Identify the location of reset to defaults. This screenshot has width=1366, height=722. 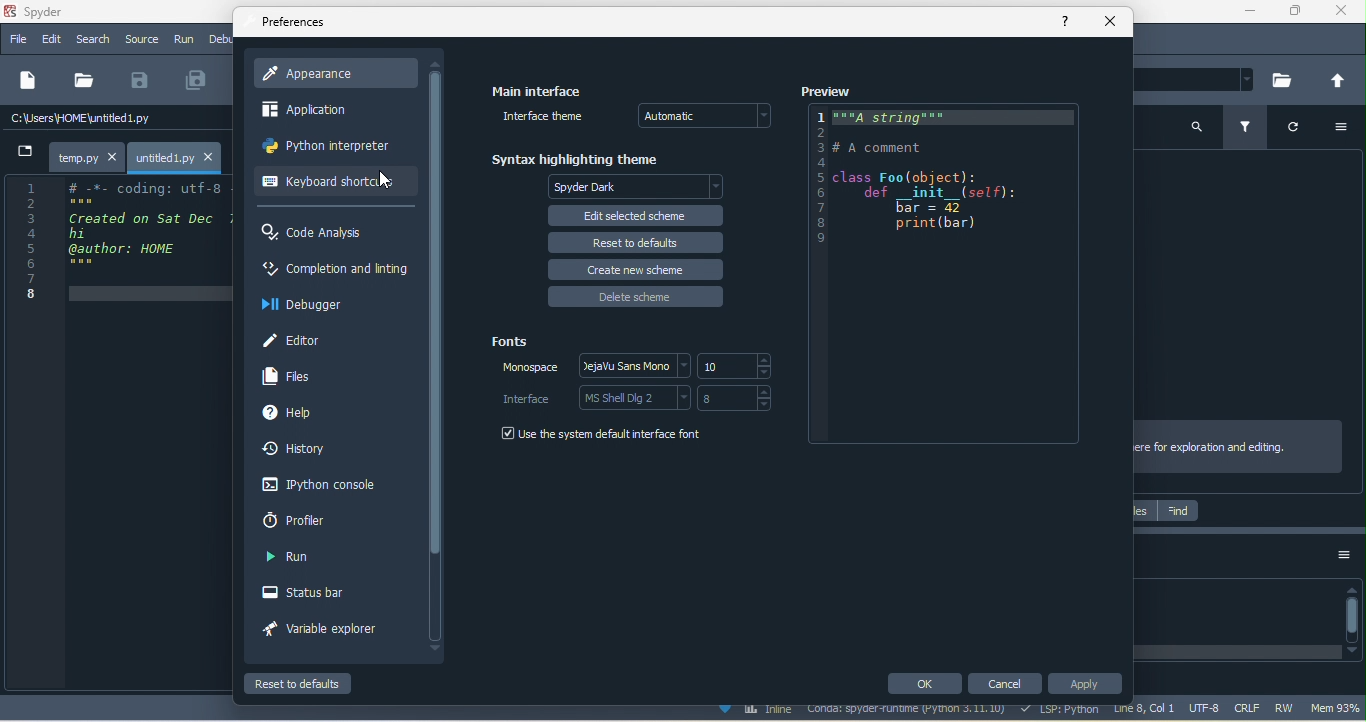
(300, 683).